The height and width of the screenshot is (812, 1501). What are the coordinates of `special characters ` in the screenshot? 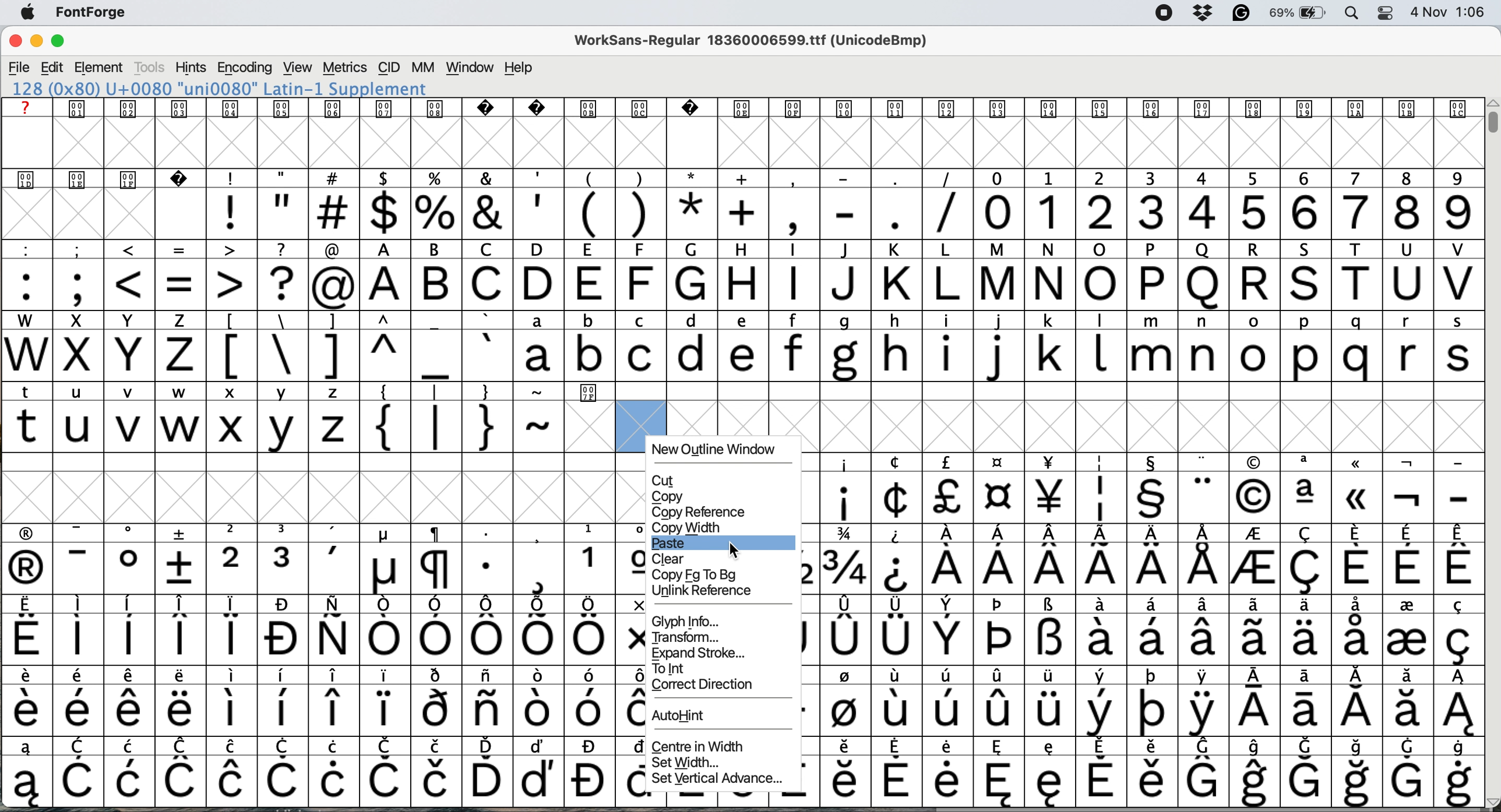 It's located at (61, 391).